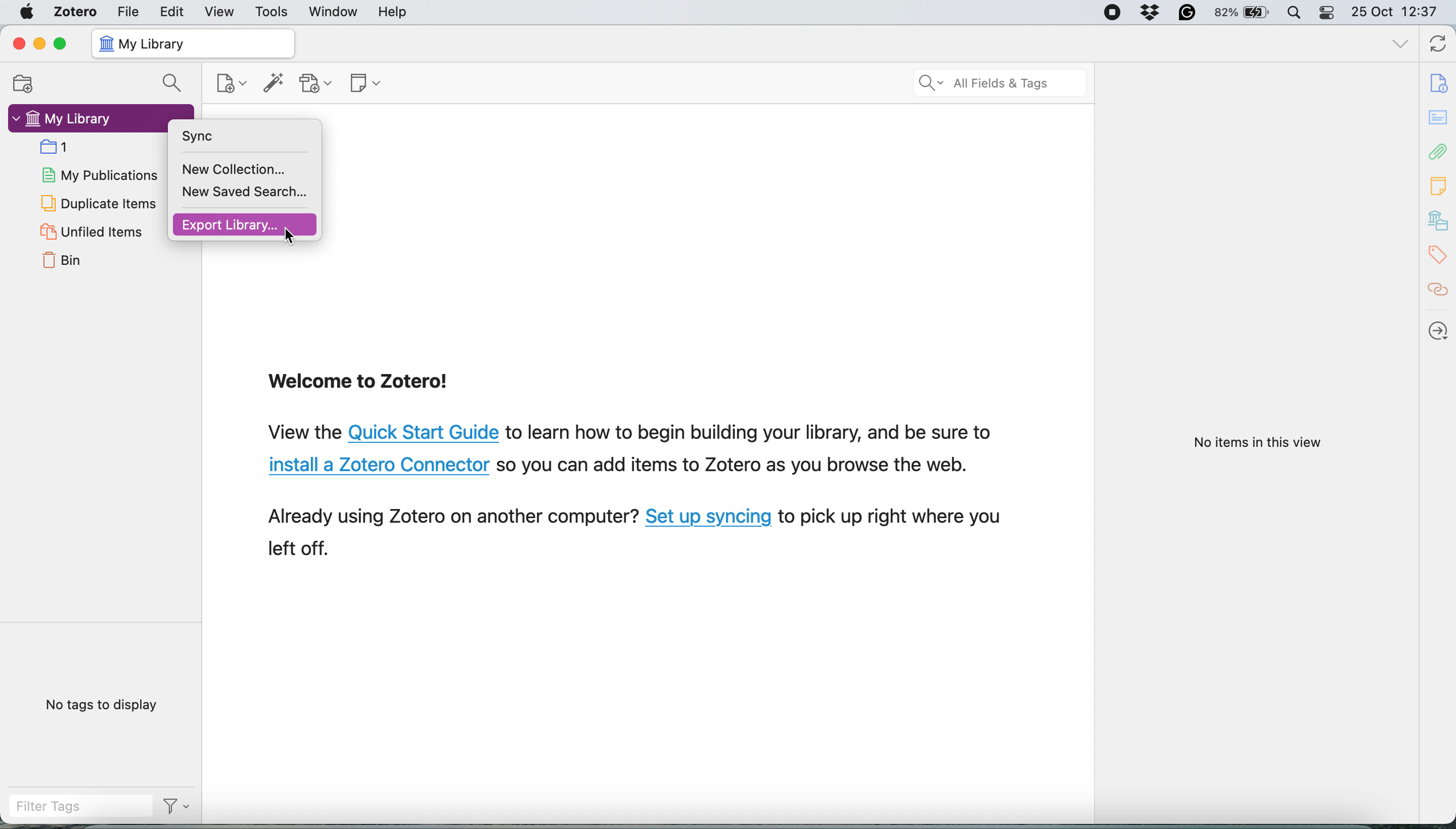  What do you see at coordinates (245, 166) in the screenshot?
I see `New Collection...` at bounding box center [245, 166].